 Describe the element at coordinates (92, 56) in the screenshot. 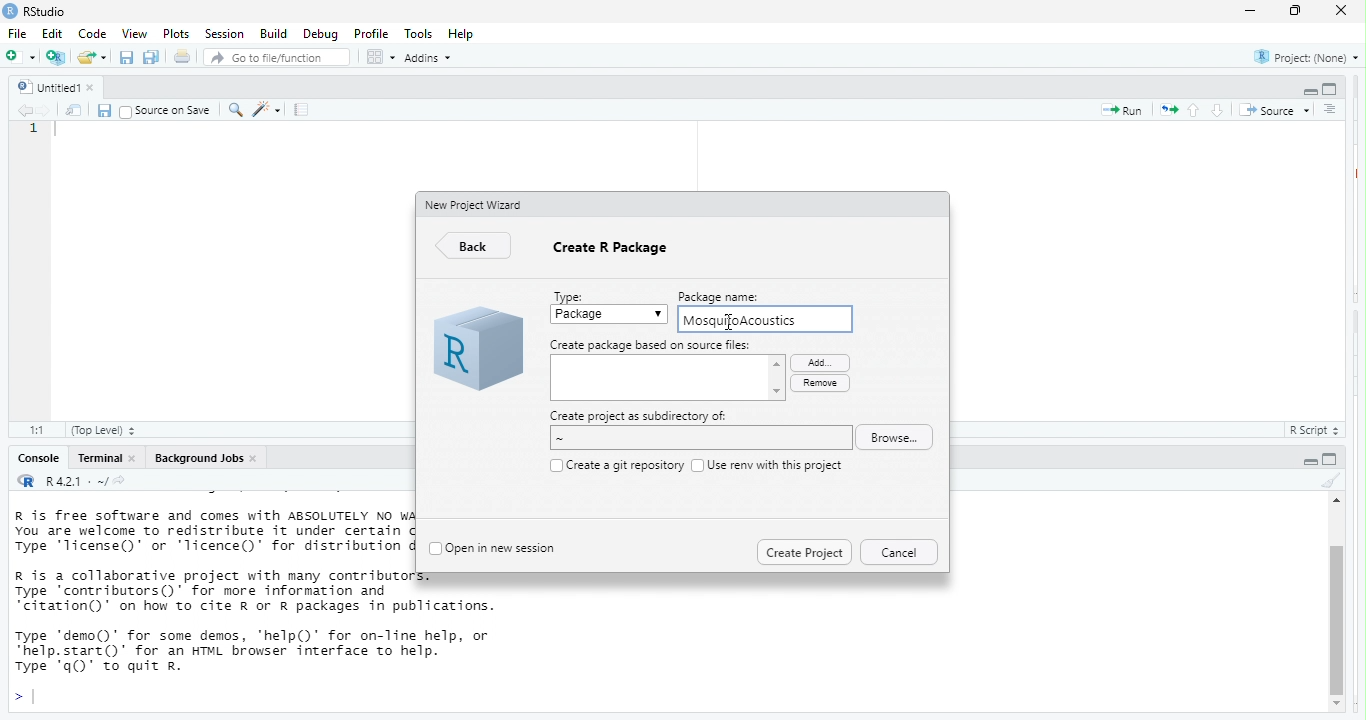

I see `open an existing file` at that location.